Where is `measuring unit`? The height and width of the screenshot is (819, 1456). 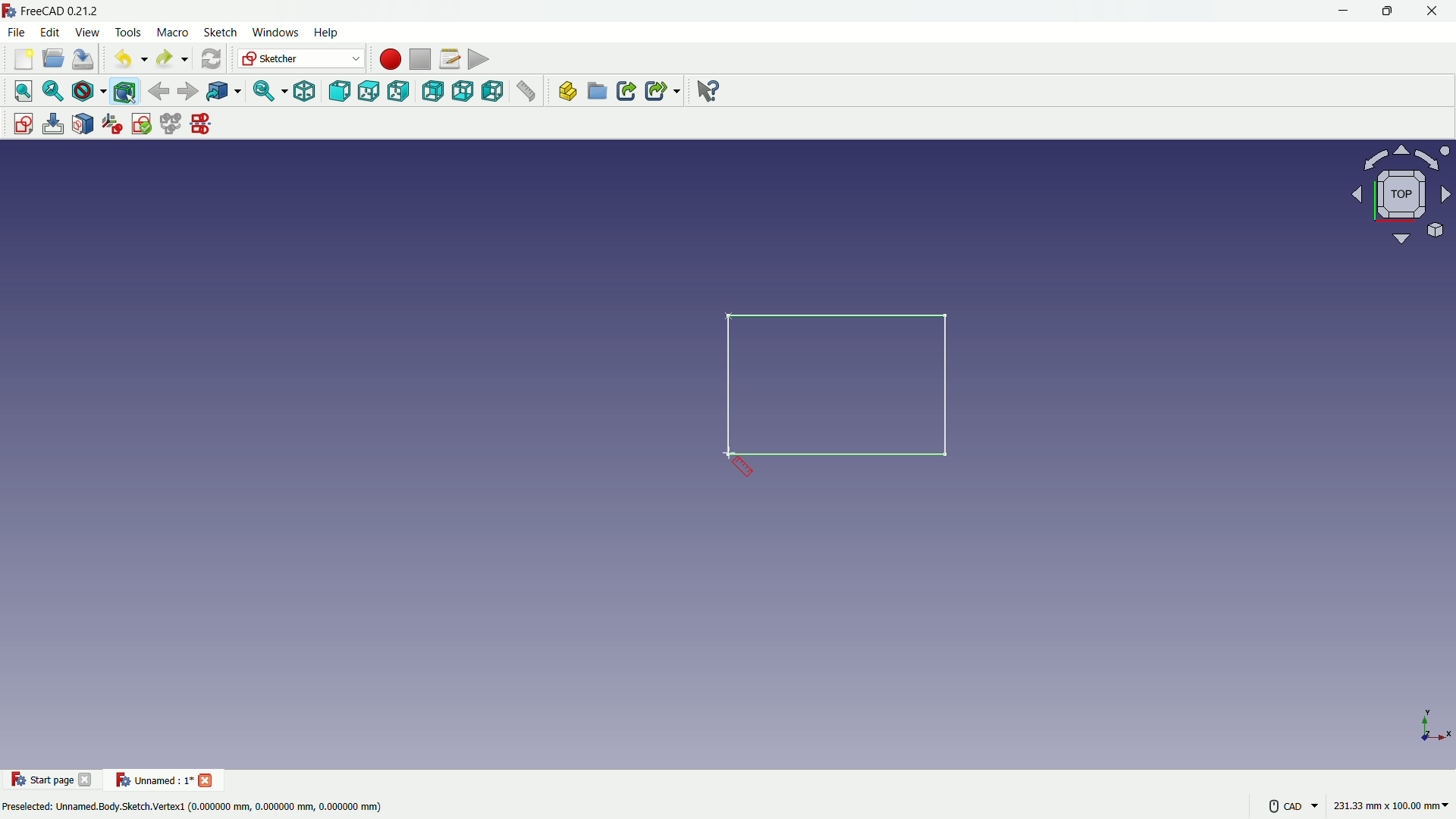
measuring unit is located at coordinates (1388, 808).